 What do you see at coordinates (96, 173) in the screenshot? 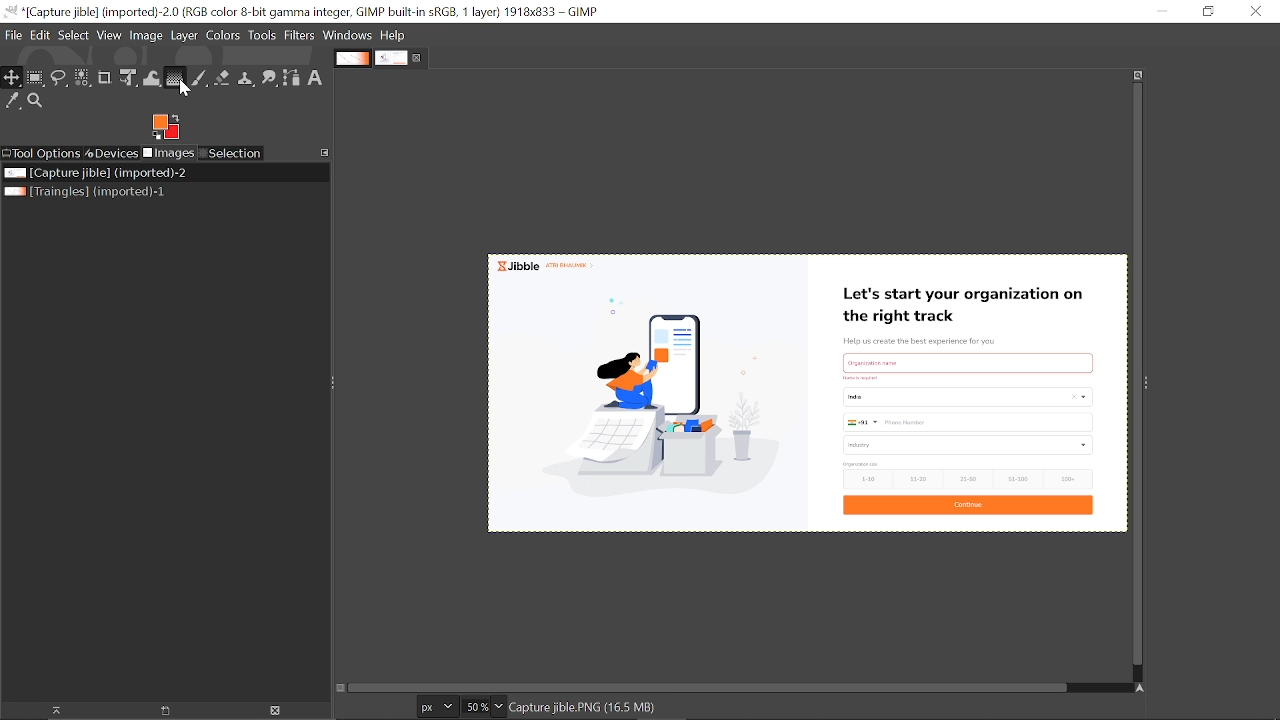
I see `Current file` at bounding box center [96, 173].